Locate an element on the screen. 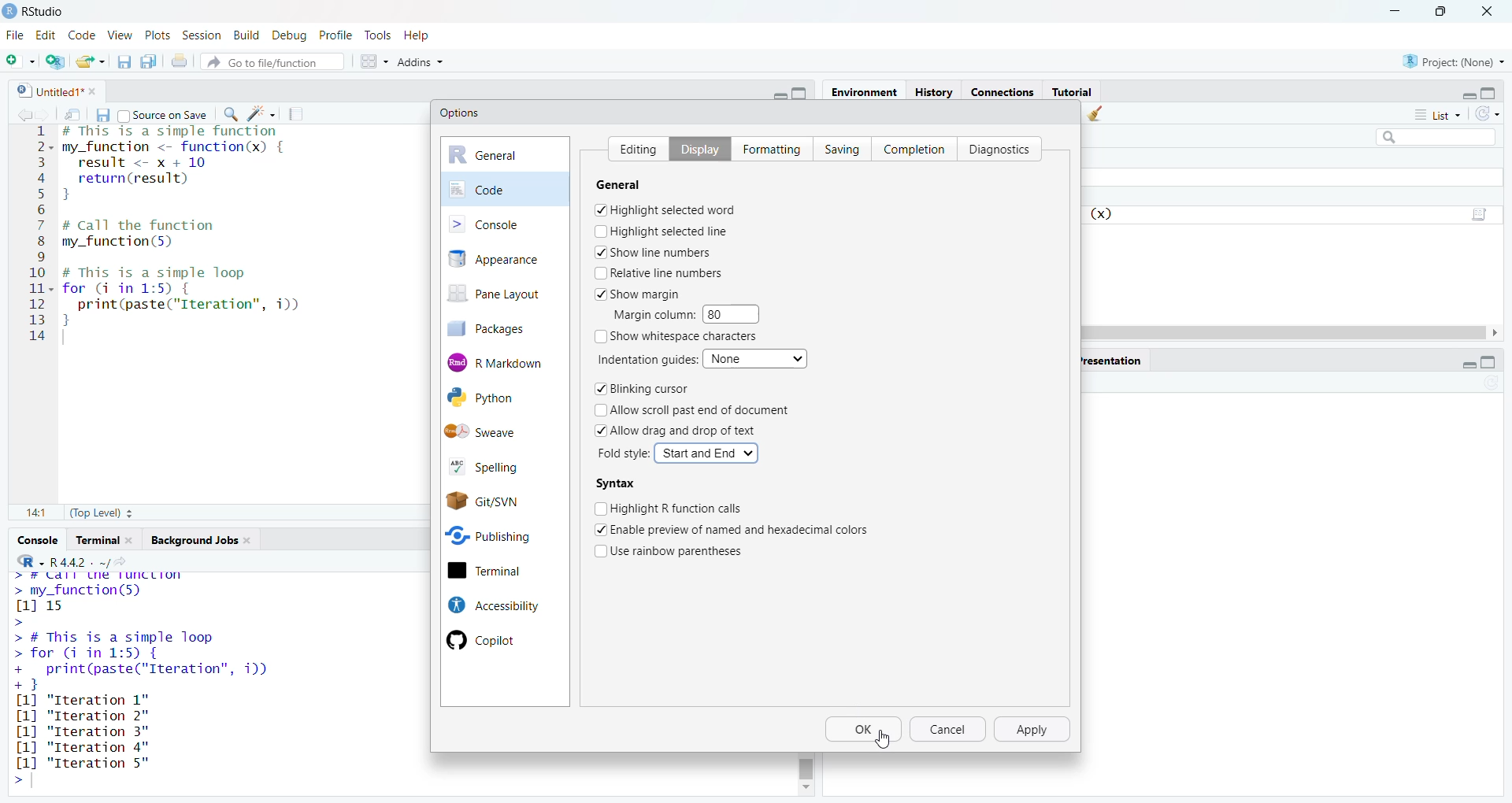 Image resolution: width=1512 pixels, height=803 pixels. tools is located at coordinates (380, 35).